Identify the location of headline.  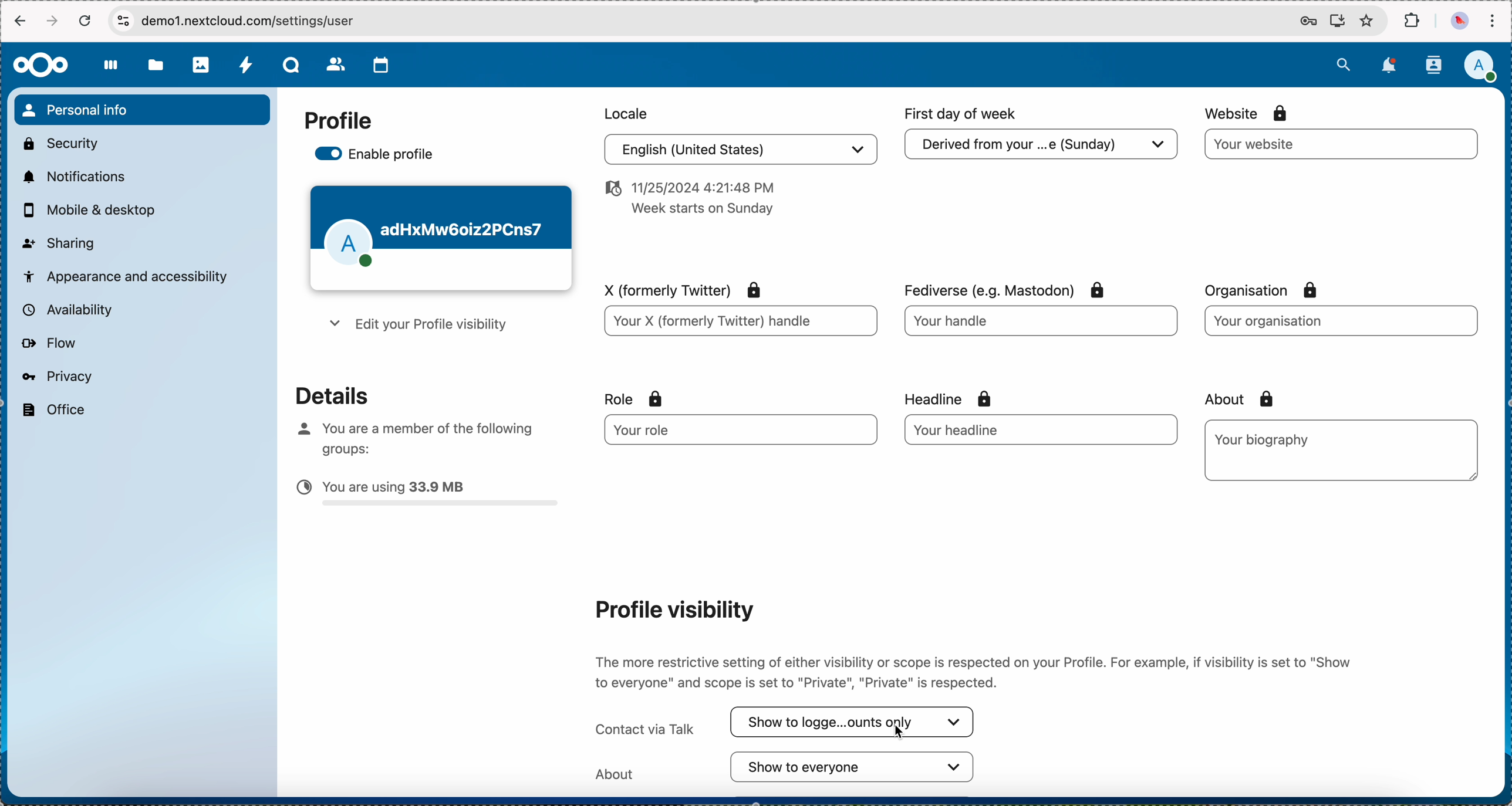
(972, 397).